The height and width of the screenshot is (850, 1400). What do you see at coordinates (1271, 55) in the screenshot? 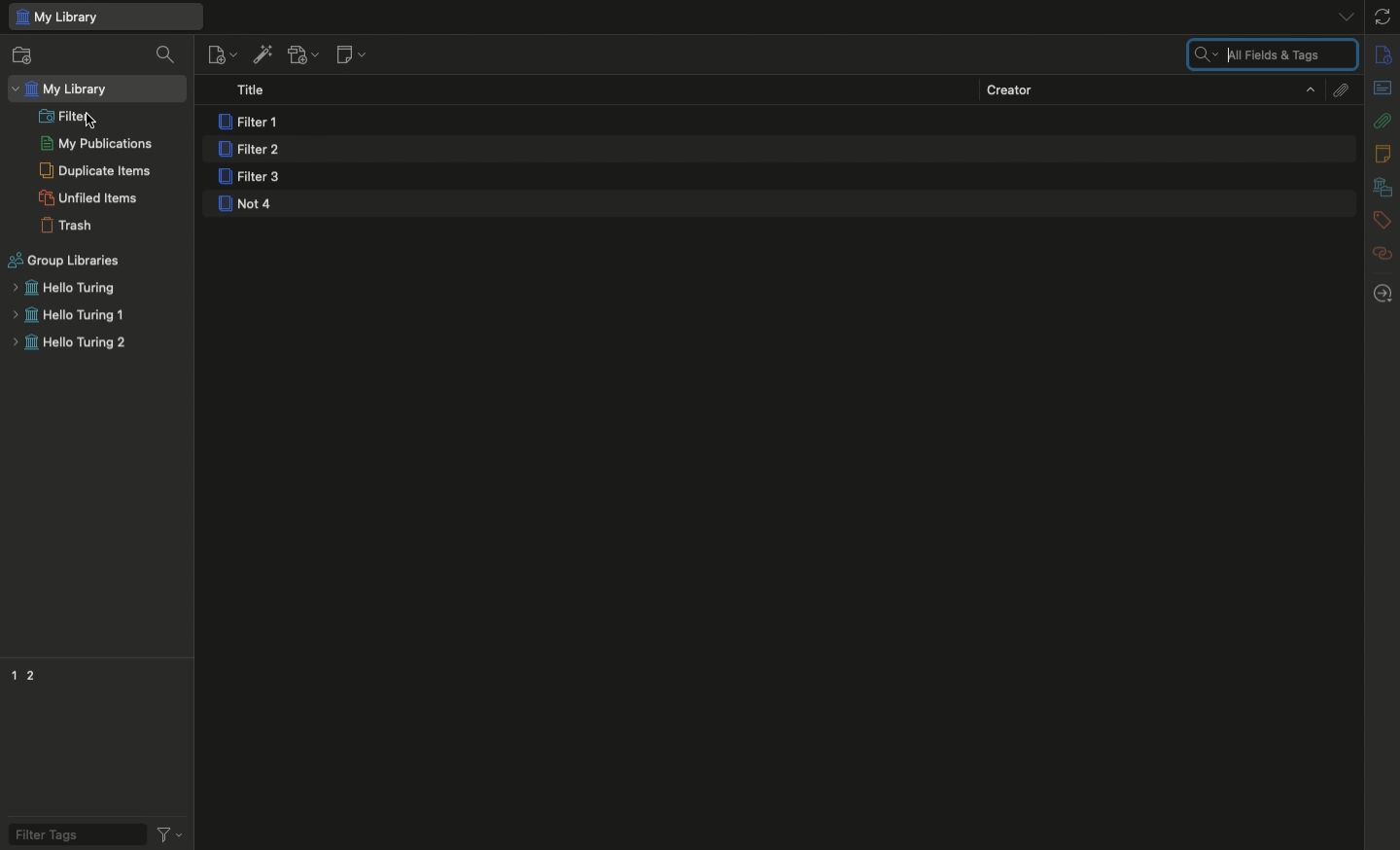
I see `Cleared search filter` at bounding box center [1271, 55].